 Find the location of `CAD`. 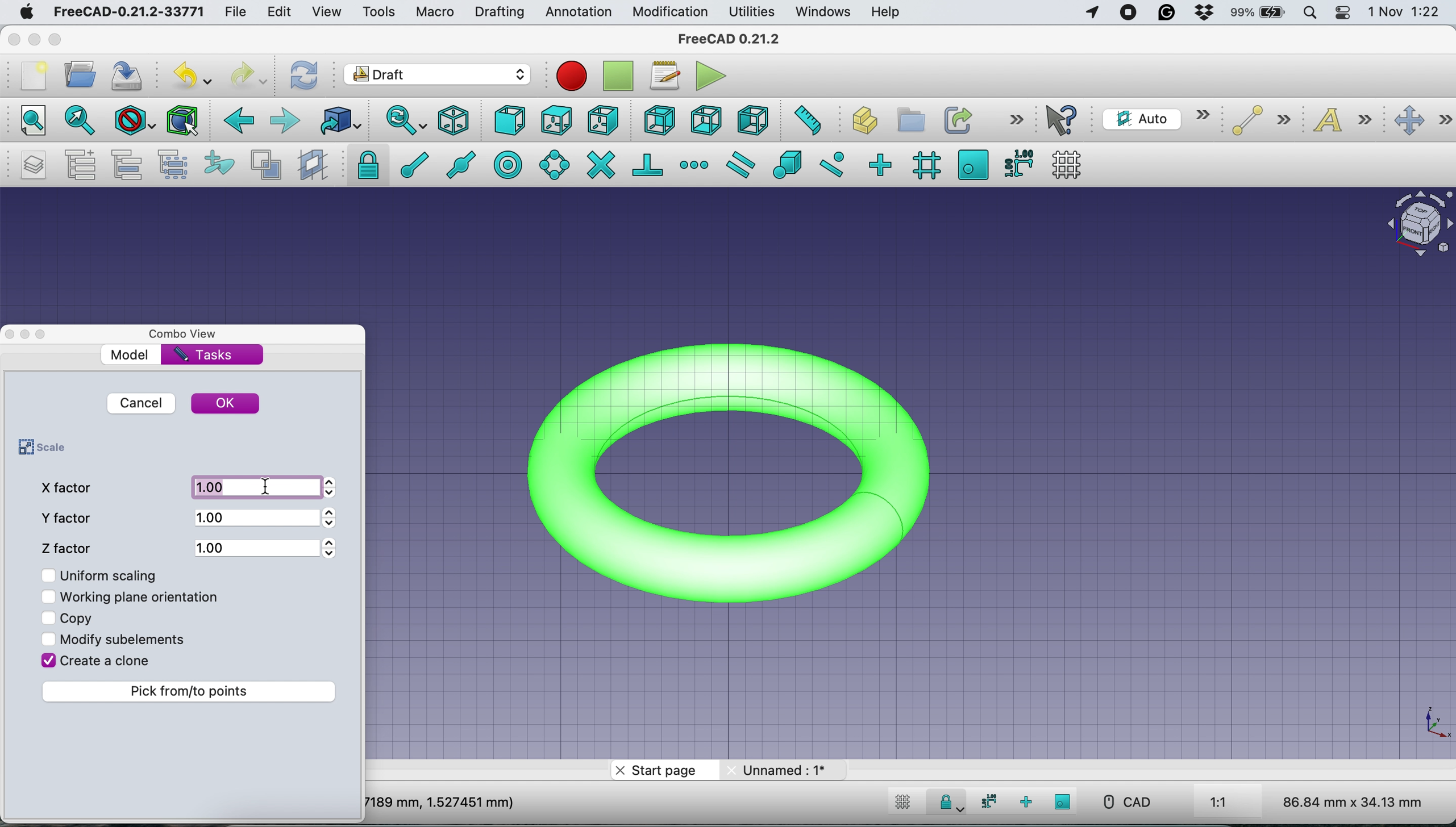

CAD is located at coordinates (1121, 802).